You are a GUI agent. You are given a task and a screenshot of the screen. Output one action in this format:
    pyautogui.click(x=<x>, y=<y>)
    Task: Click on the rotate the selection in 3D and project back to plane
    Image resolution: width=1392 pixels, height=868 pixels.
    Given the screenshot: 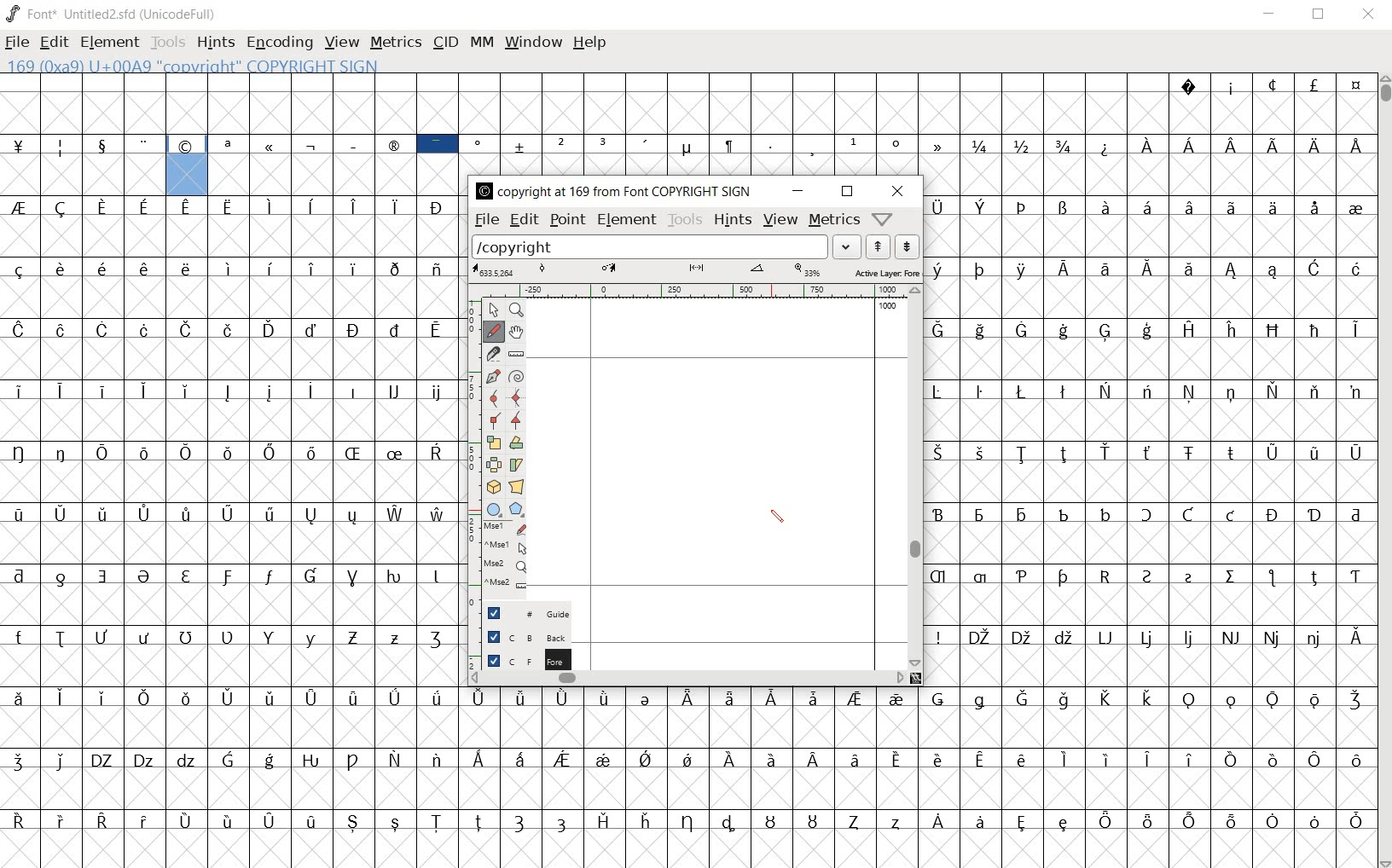 What is the action you would take?
    pyautogui.click(x=493, y=486)
    